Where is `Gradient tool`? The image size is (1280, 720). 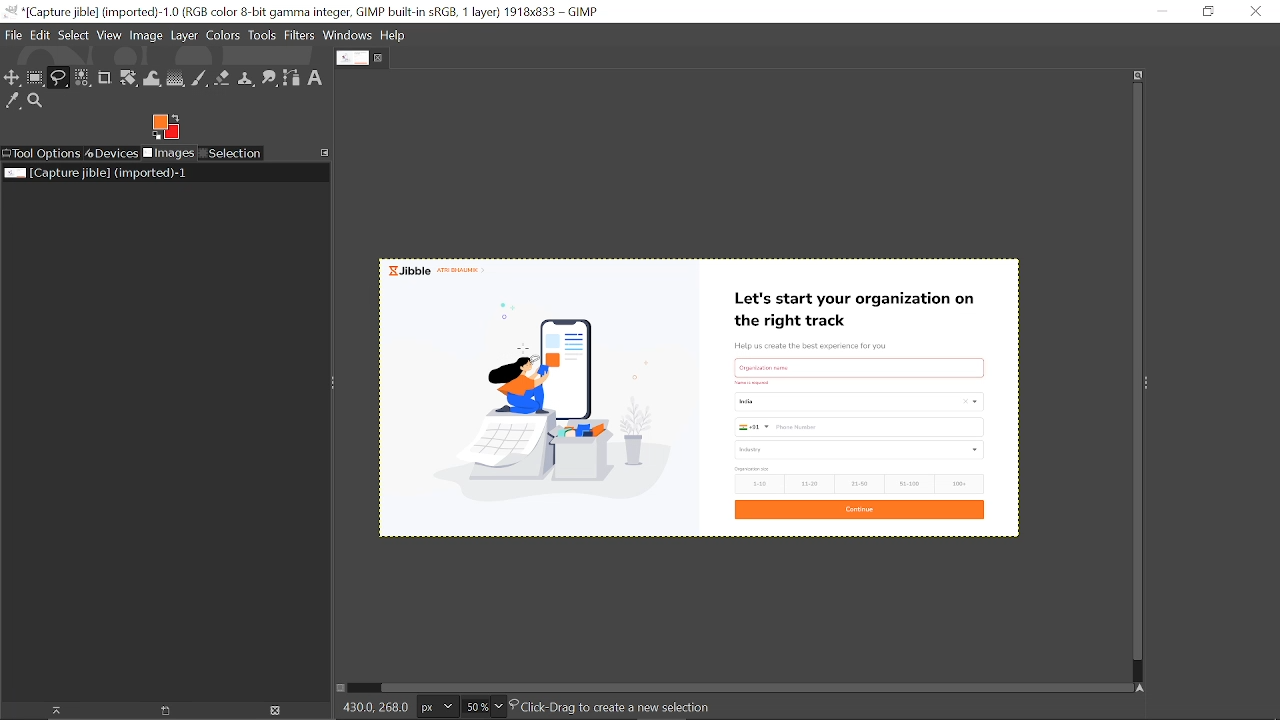
Gradient tool is located at coordinates (176, 78).